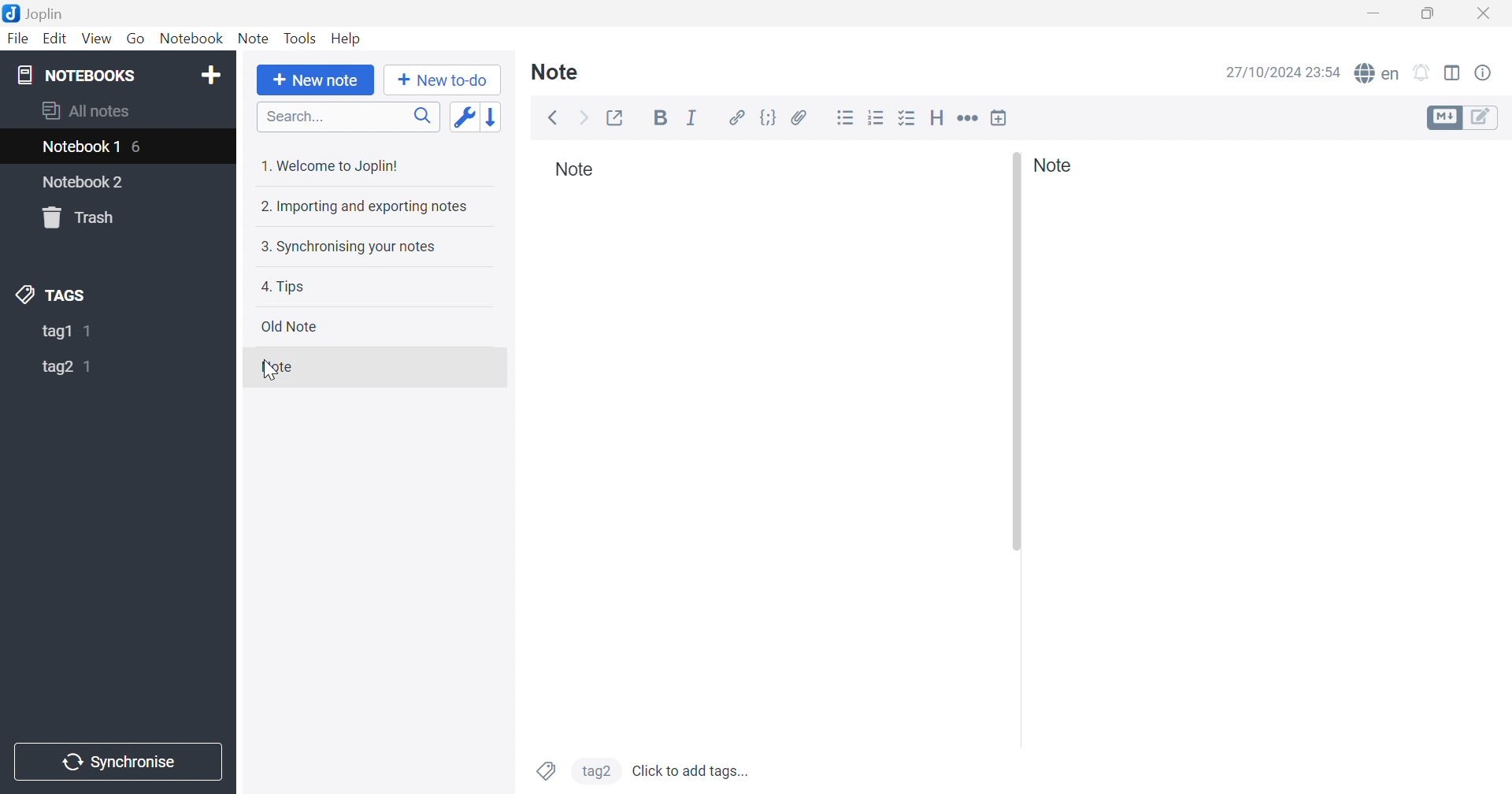  I want to click on All notes, so click(86, 109).